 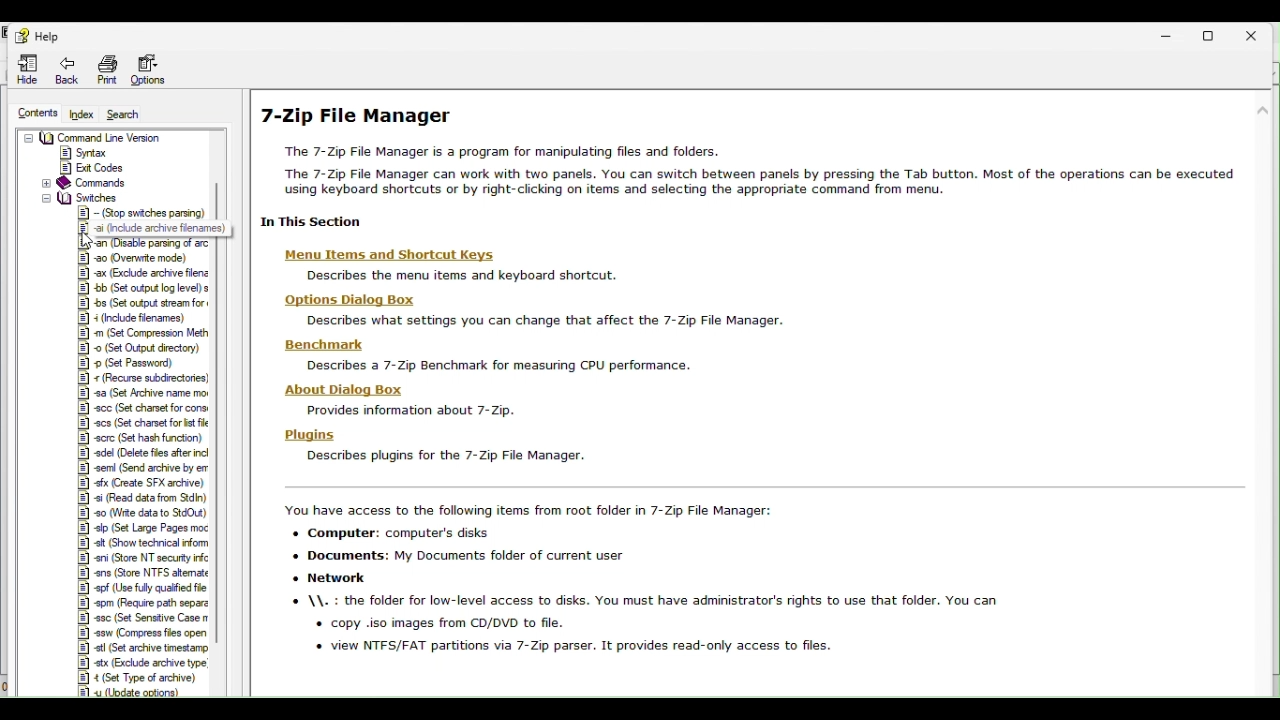 I want to click on Close, so click(x=1261, y=33).